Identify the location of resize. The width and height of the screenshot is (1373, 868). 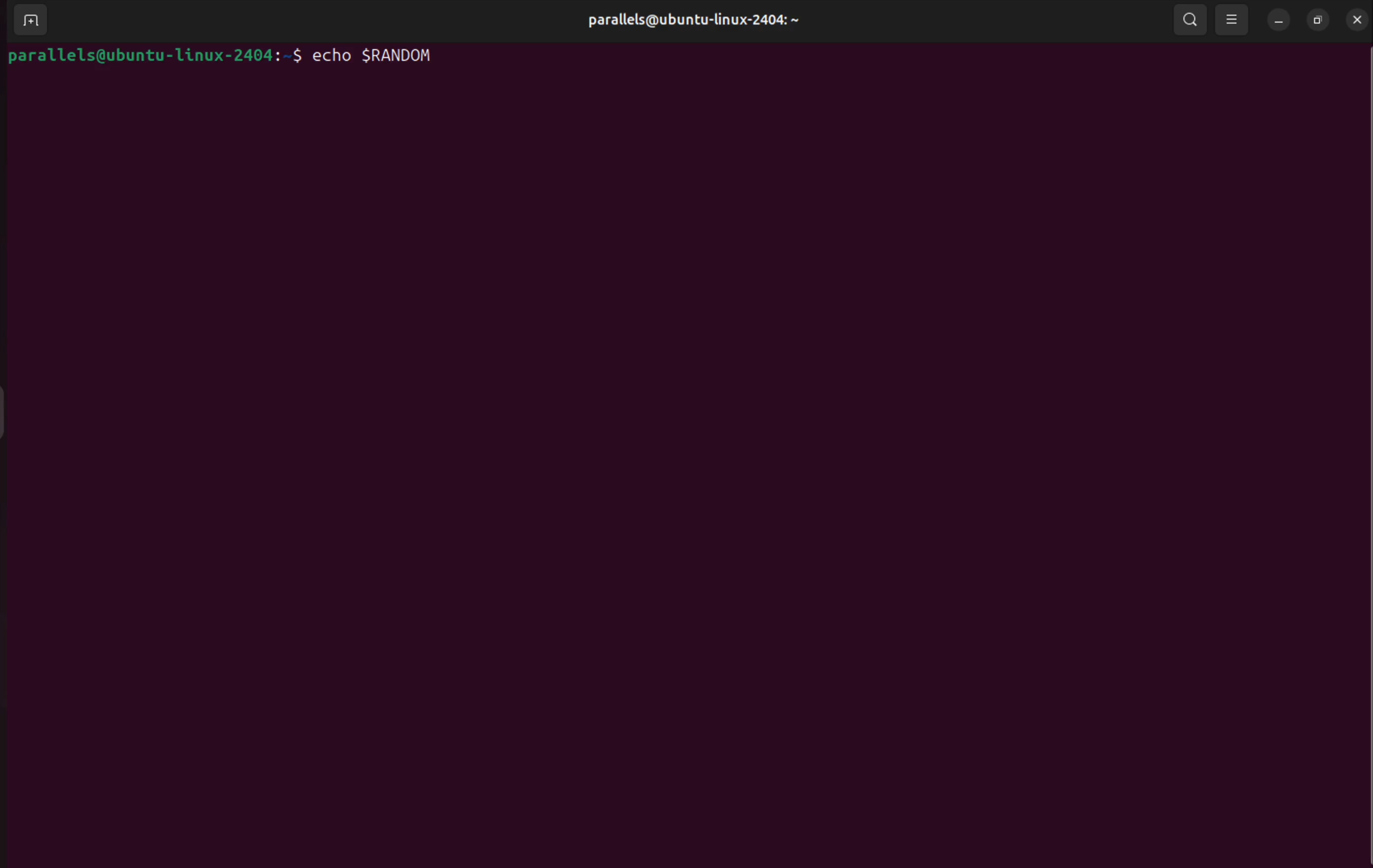
(1318, 20).